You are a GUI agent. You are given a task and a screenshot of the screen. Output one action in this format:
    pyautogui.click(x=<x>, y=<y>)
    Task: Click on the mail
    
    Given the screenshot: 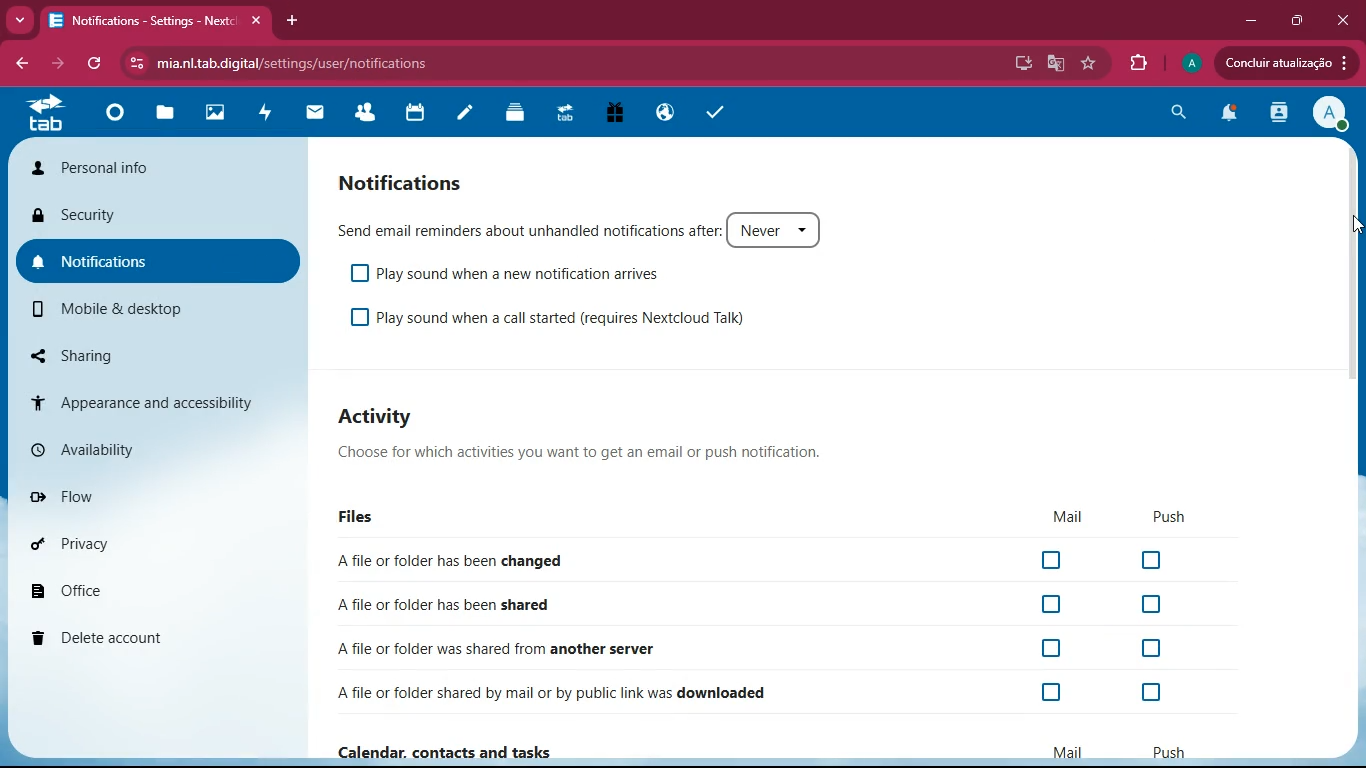 What is the action you would take?
    pyautogui.click(x=320, y=115)
    